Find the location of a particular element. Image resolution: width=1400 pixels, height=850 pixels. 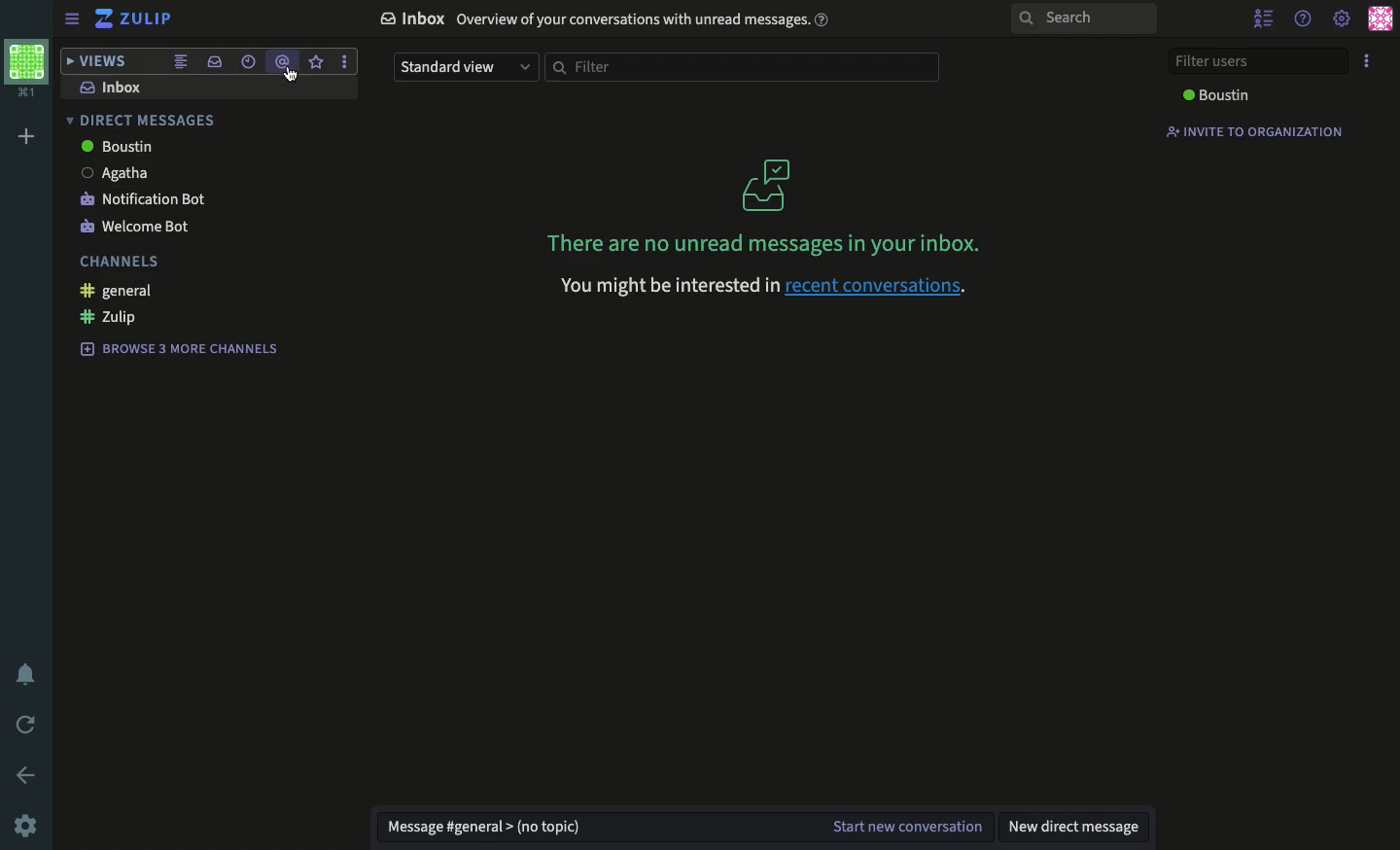

direct messages is located at coordinates (142, 120).